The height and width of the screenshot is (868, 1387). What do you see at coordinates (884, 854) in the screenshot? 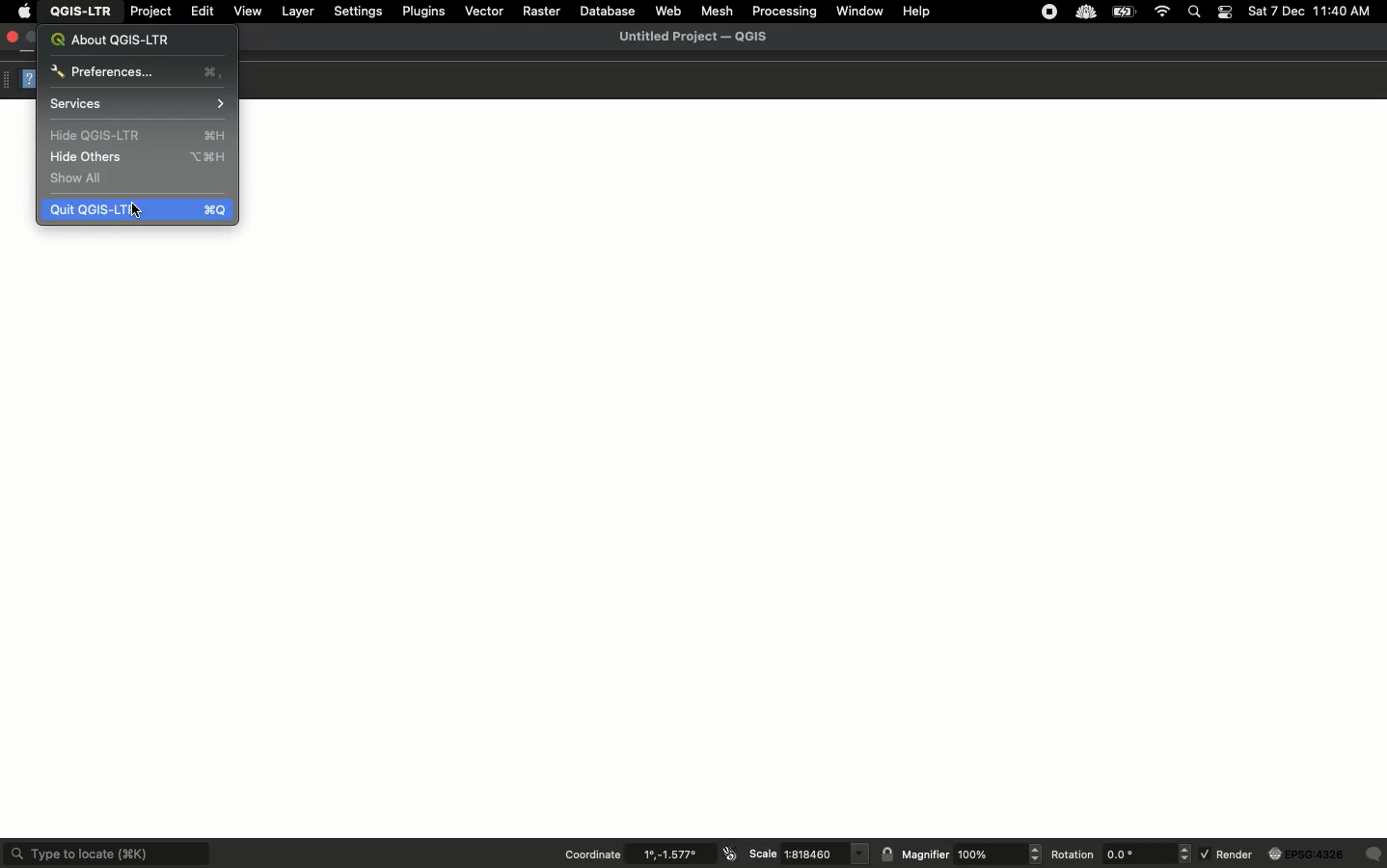
I see `emblem` at bounding box center [884, 854].